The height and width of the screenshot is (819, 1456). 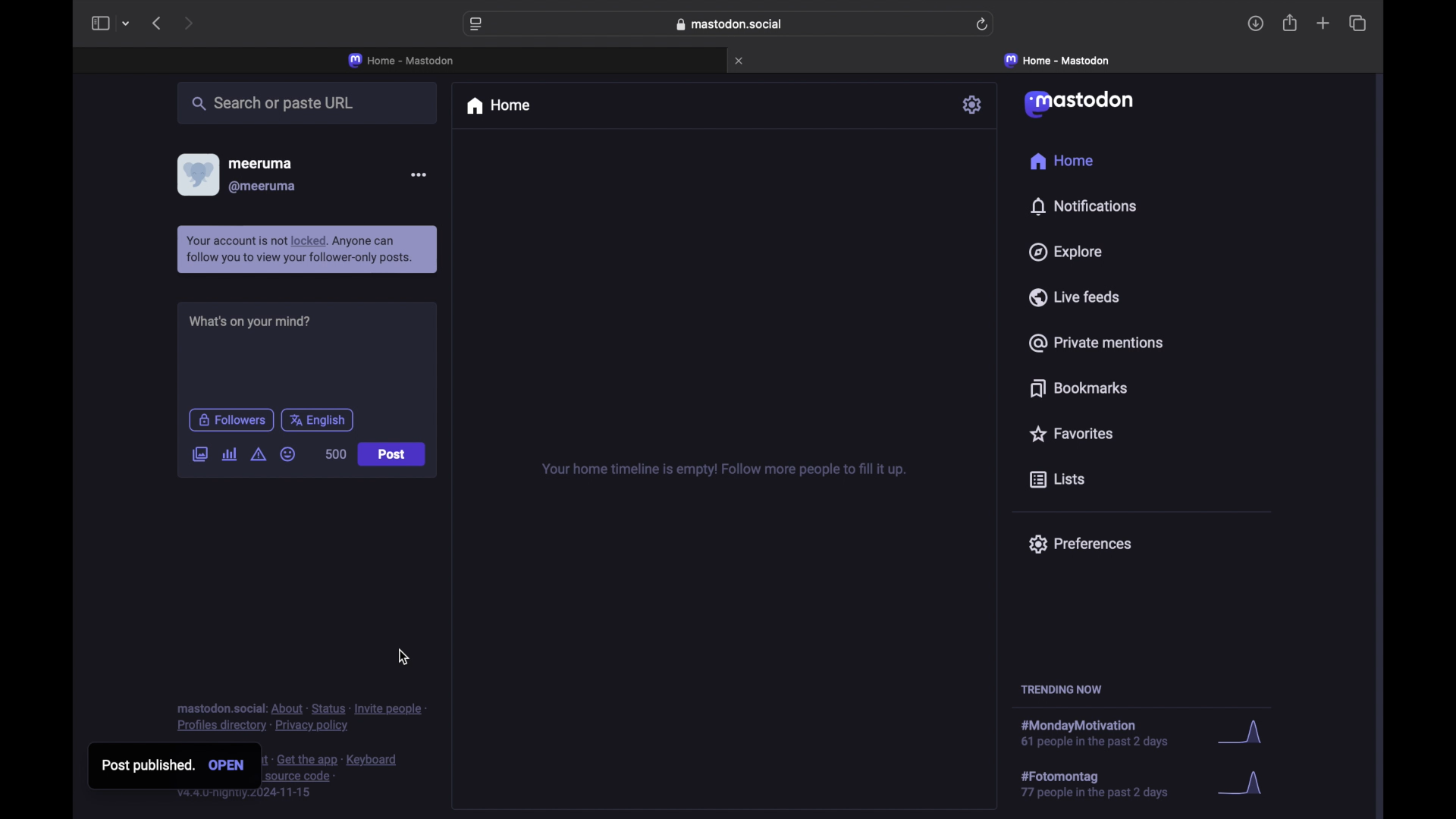 What do you see at coordinates (249, 322) in the screenshot?
I see `what's on your  mind` at bounding box center [249, 322].